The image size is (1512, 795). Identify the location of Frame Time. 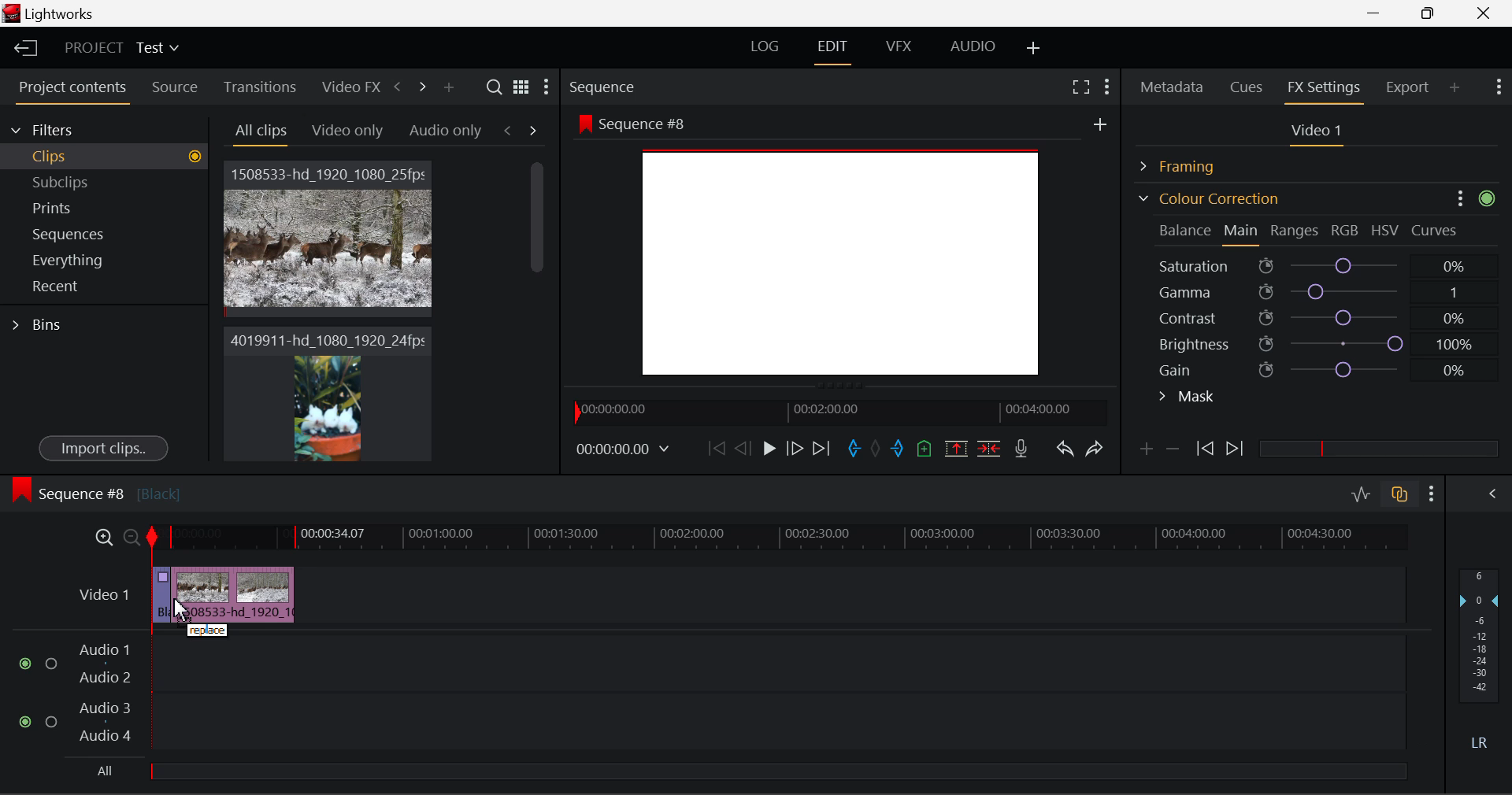
(624, 450).